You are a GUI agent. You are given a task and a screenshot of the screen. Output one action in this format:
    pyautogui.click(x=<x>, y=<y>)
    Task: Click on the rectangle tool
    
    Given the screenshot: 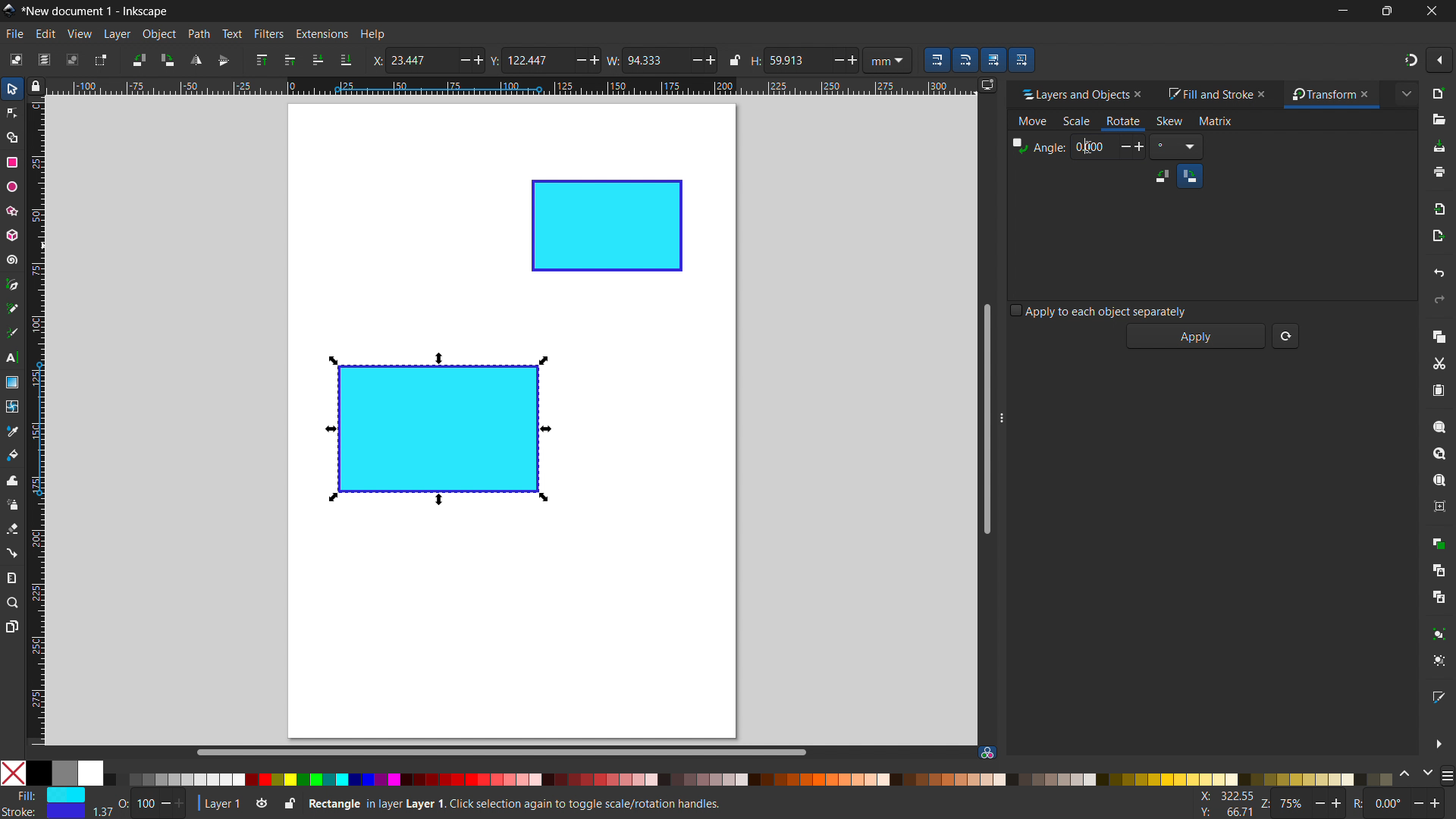 What is the action you would take?
    pyautogui.click(x=12, y=162)
    